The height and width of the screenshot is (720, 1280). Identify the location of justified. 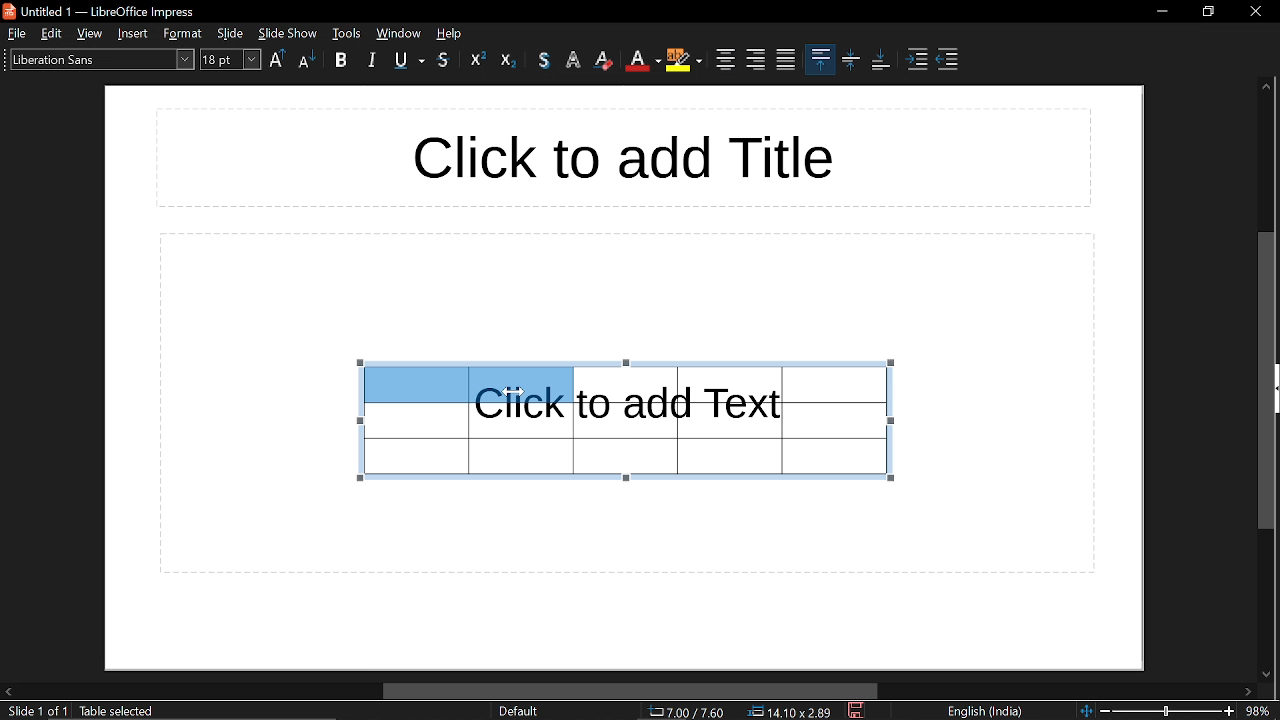
(786, 60).